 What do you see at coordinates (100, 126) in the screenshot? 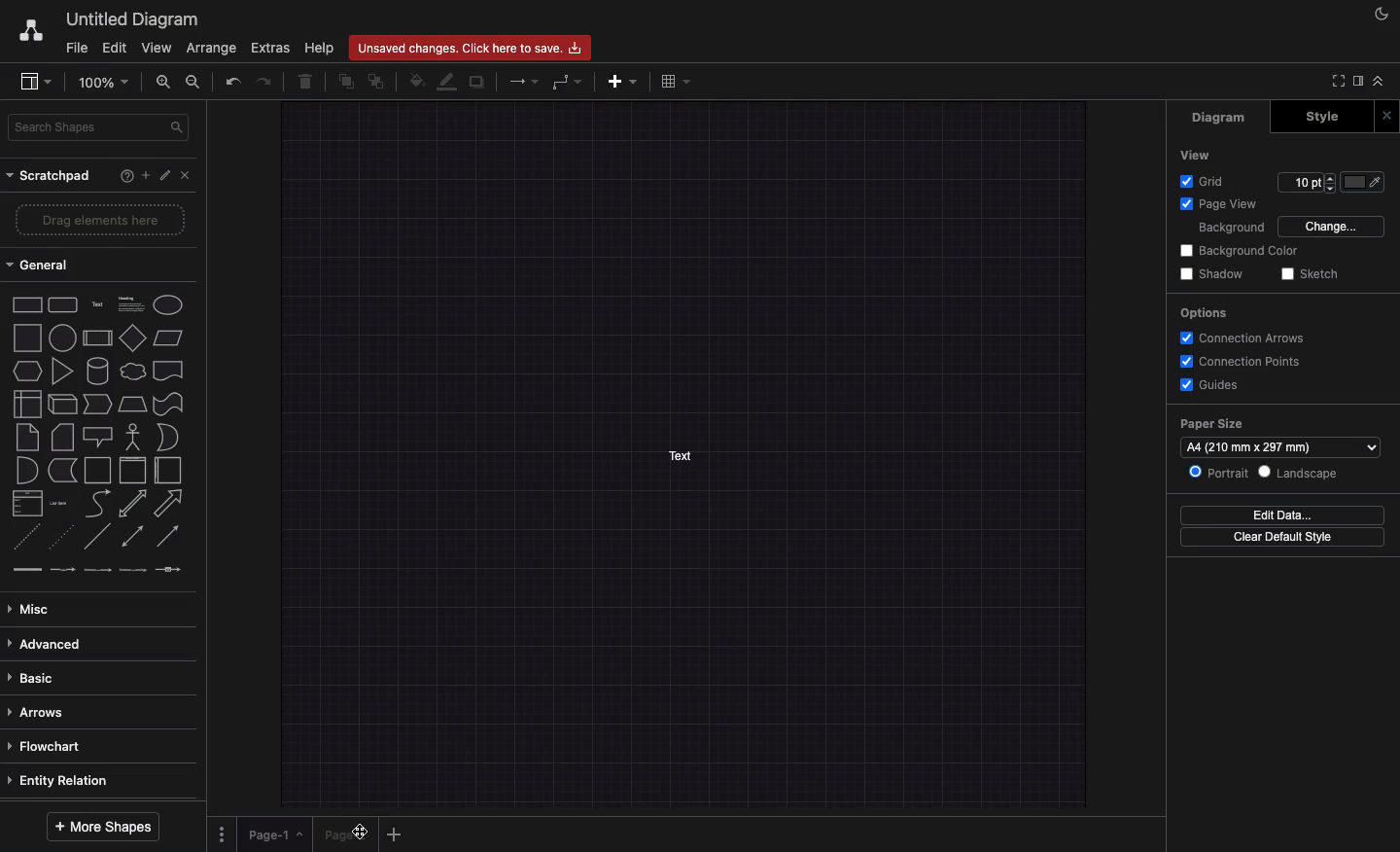
I see `Search shapes` at bounding box center [100, 126].